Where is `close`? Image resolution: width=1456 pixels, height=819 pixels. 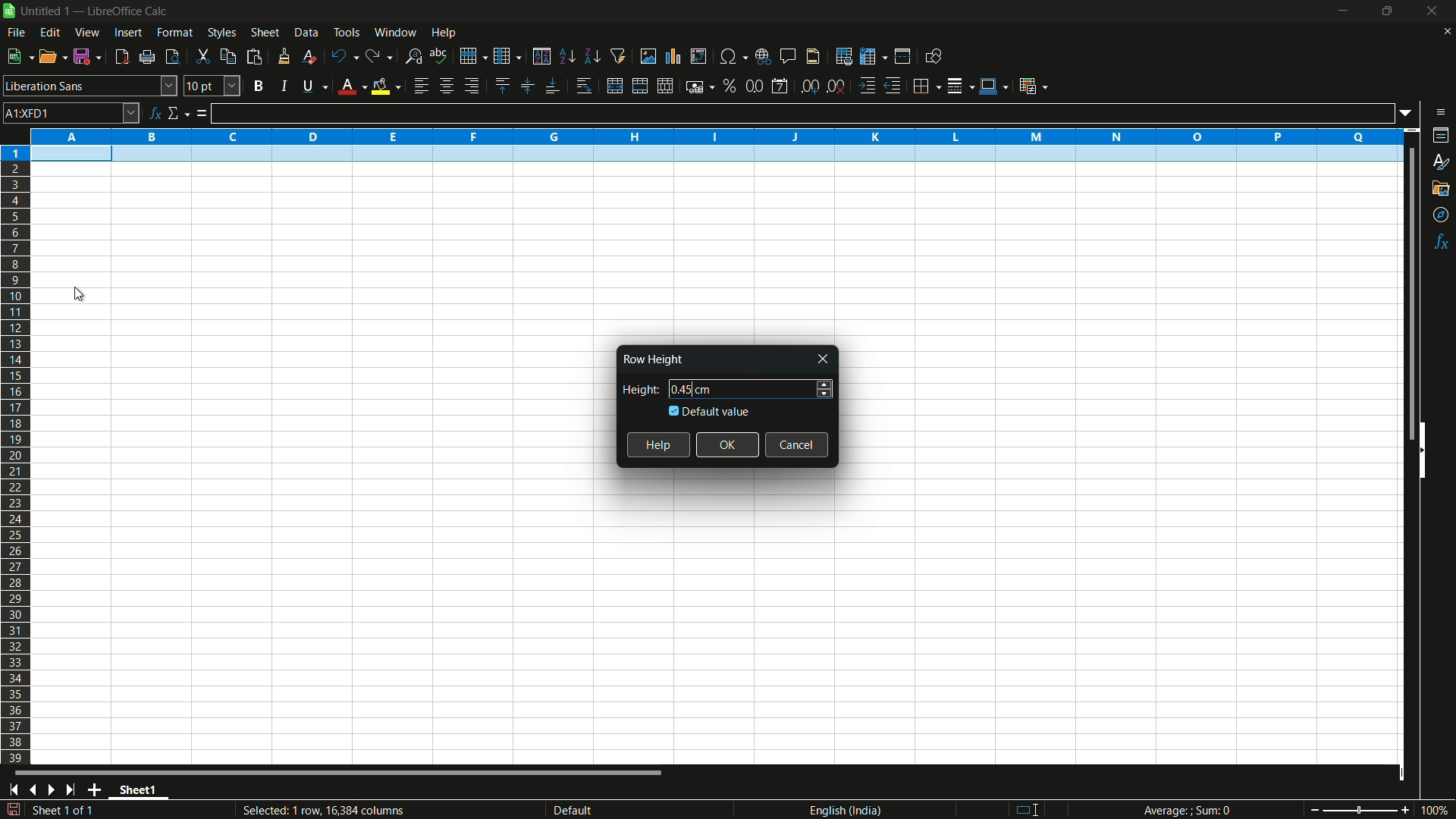 close is located at coordinates (824, 359).